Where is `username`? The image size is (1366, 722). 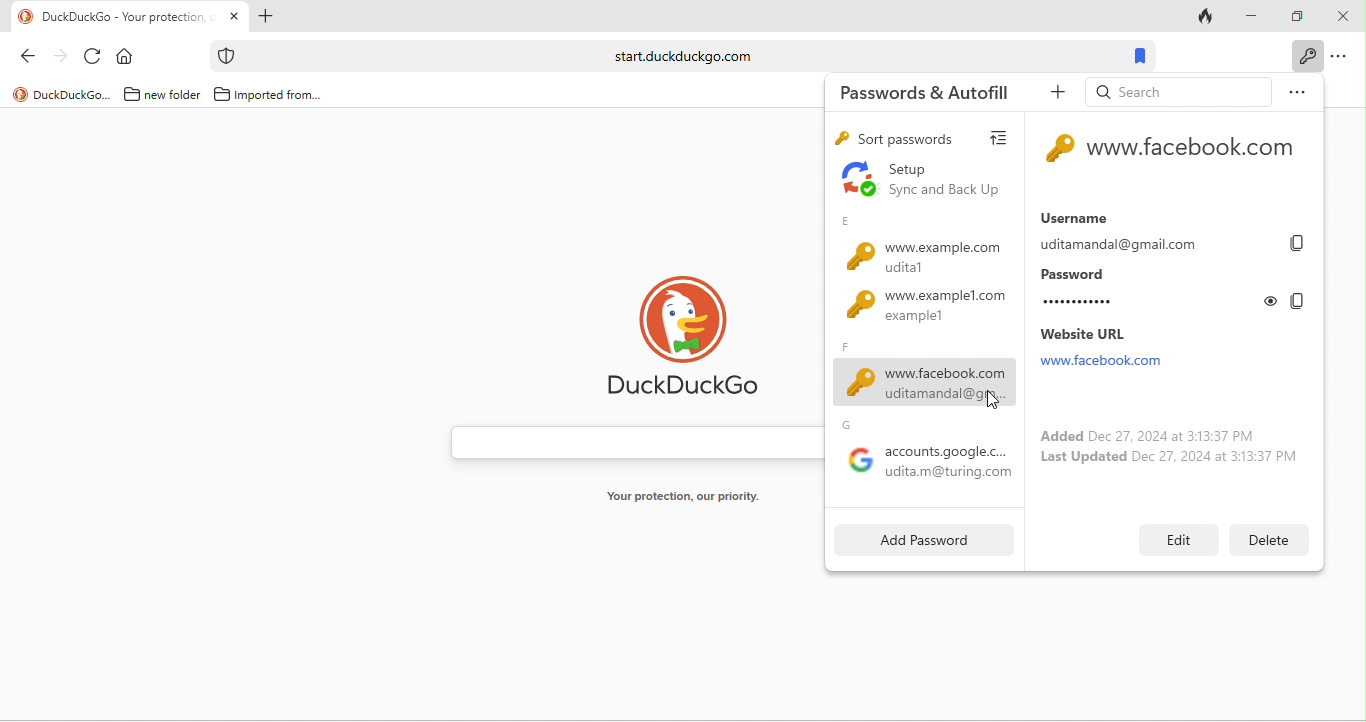
username is located at coordinates (1156, 230).